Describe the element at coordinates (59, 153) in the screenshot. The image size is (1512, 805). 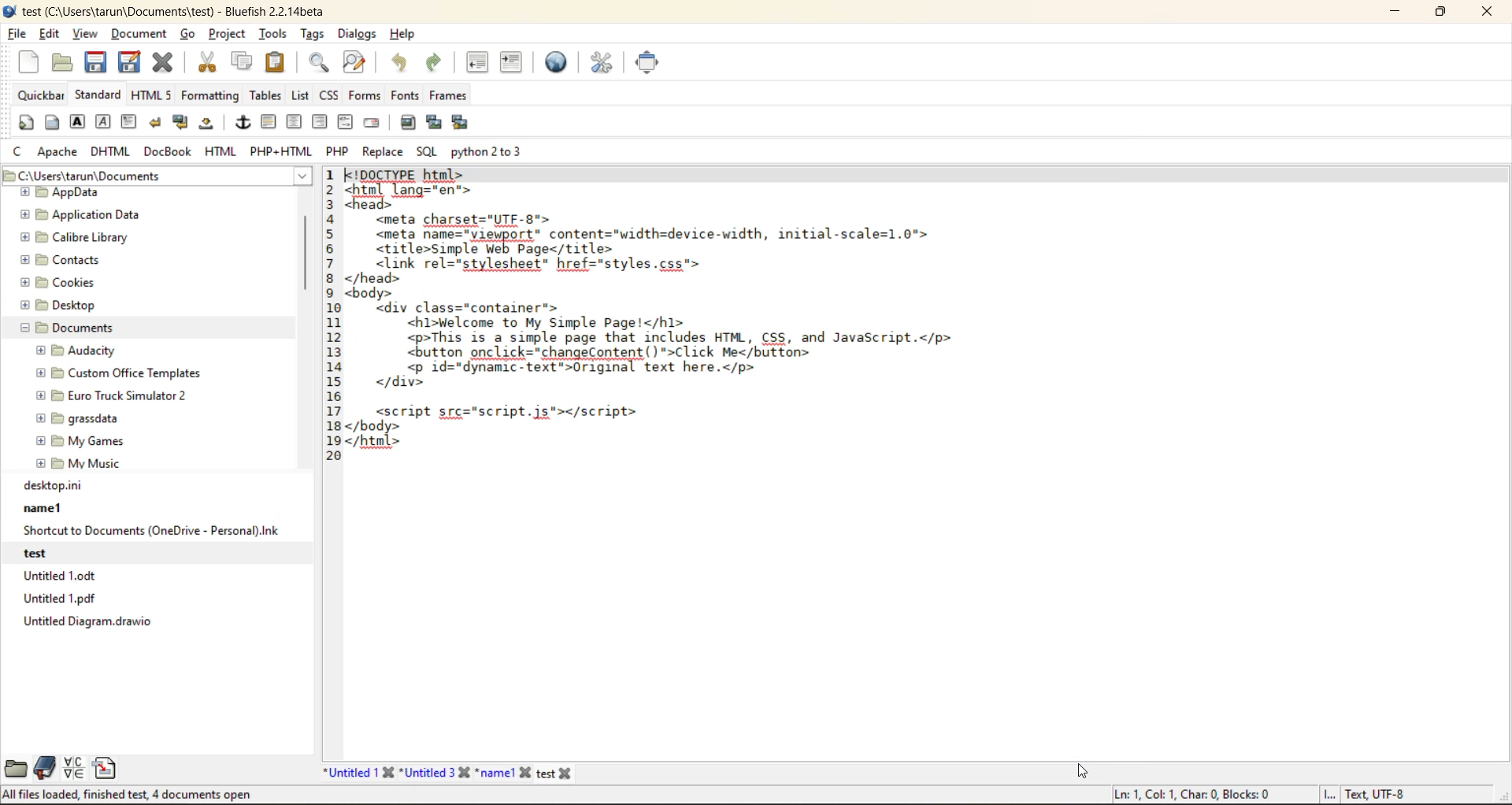
I see `apache` at that location.